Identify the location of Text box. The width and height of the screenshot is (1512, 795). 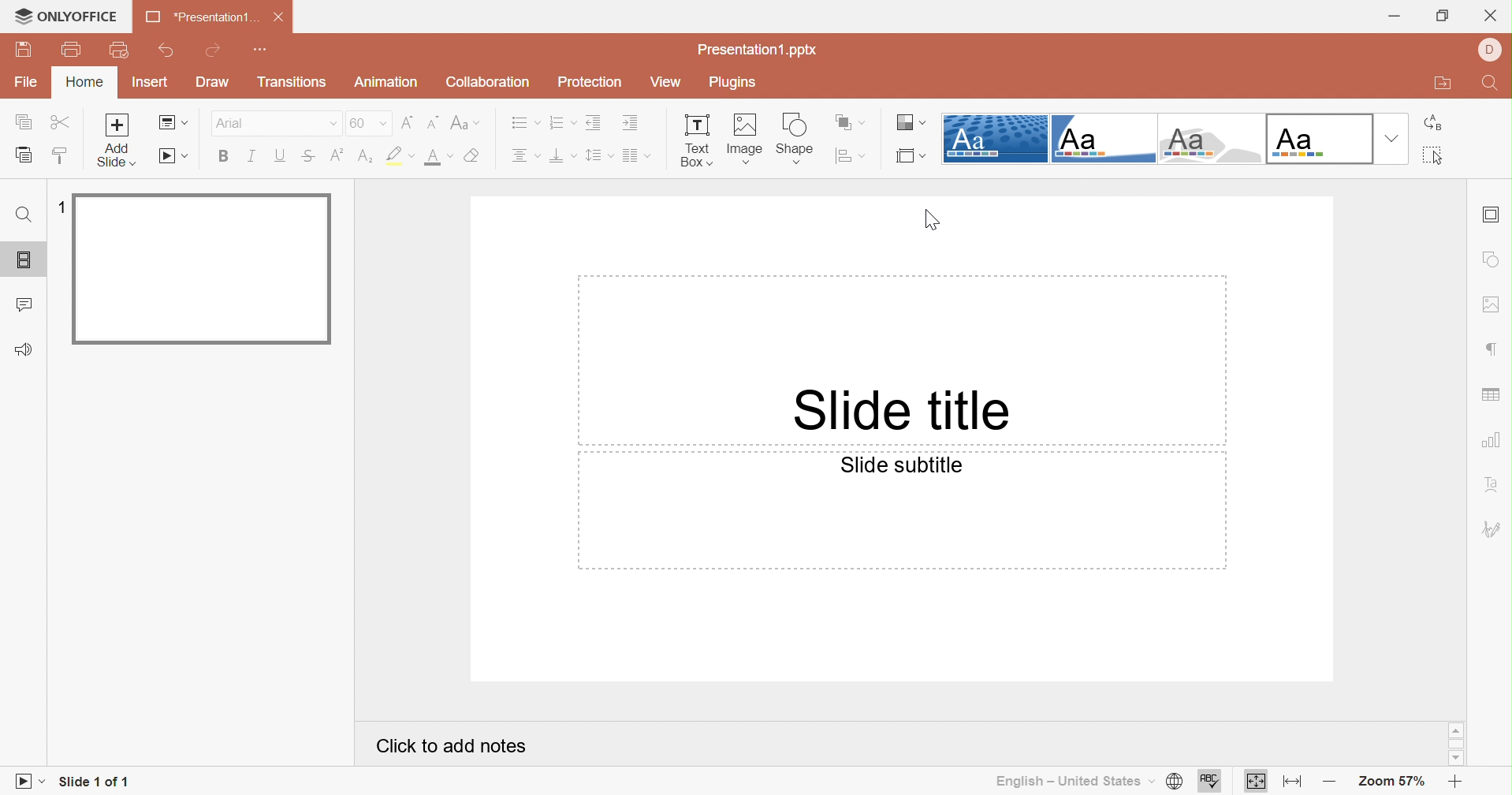
(694, 141).